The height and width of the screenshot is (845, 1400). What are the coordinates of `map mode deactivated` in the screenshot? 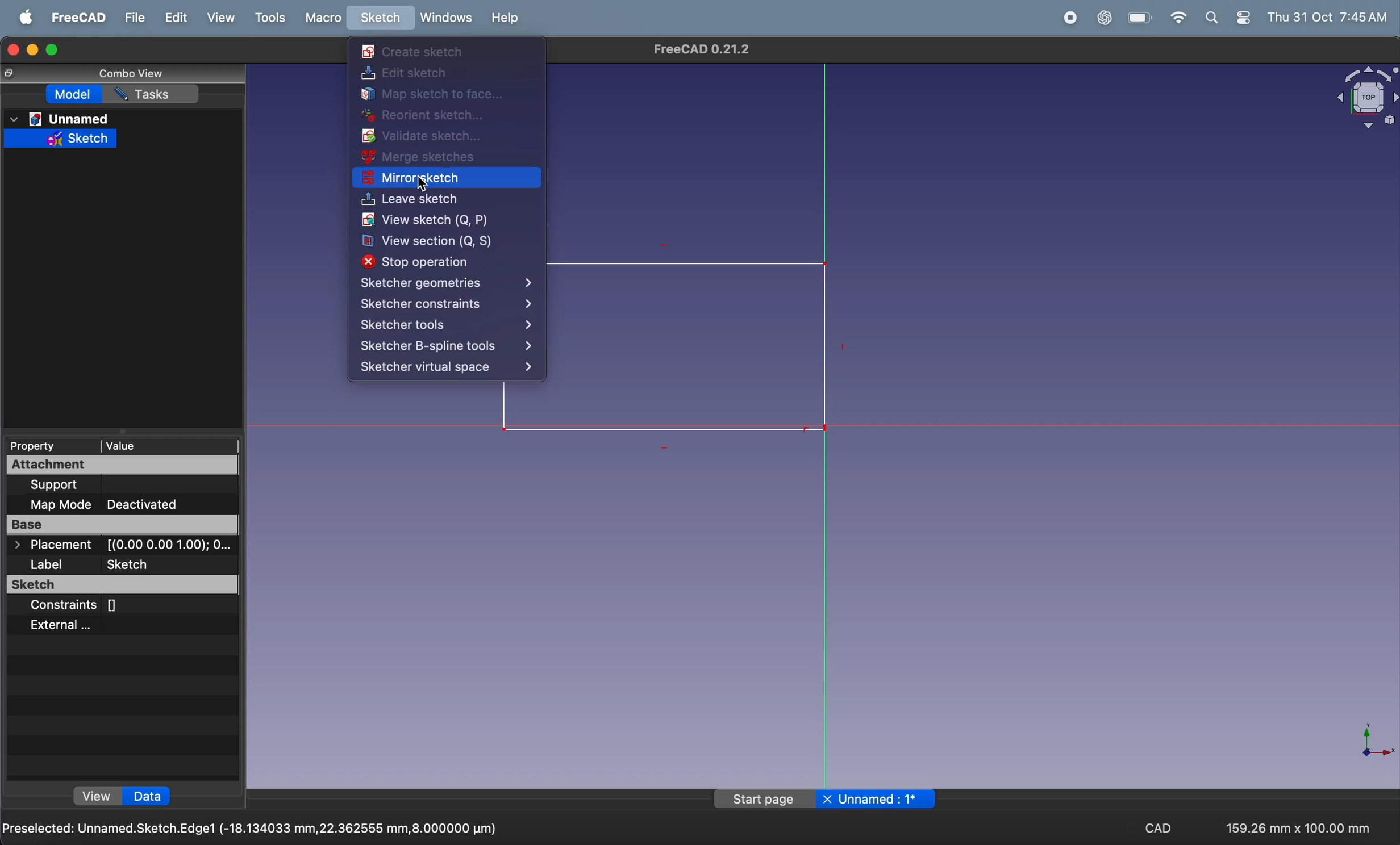 It's located at (129, 504).